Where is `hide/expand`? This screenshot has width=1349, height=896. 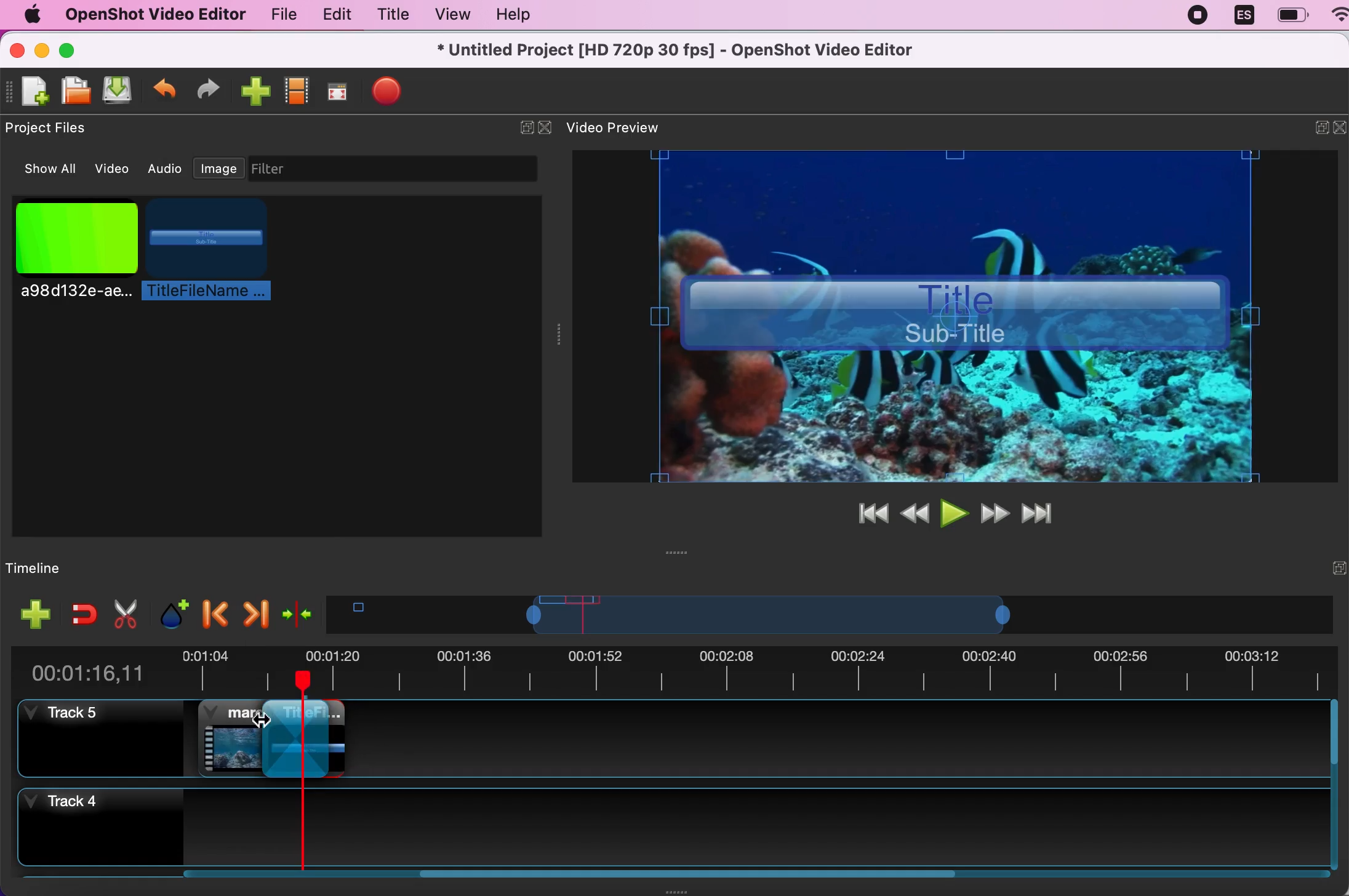 hide/expand is located at coordinates (524, 128).